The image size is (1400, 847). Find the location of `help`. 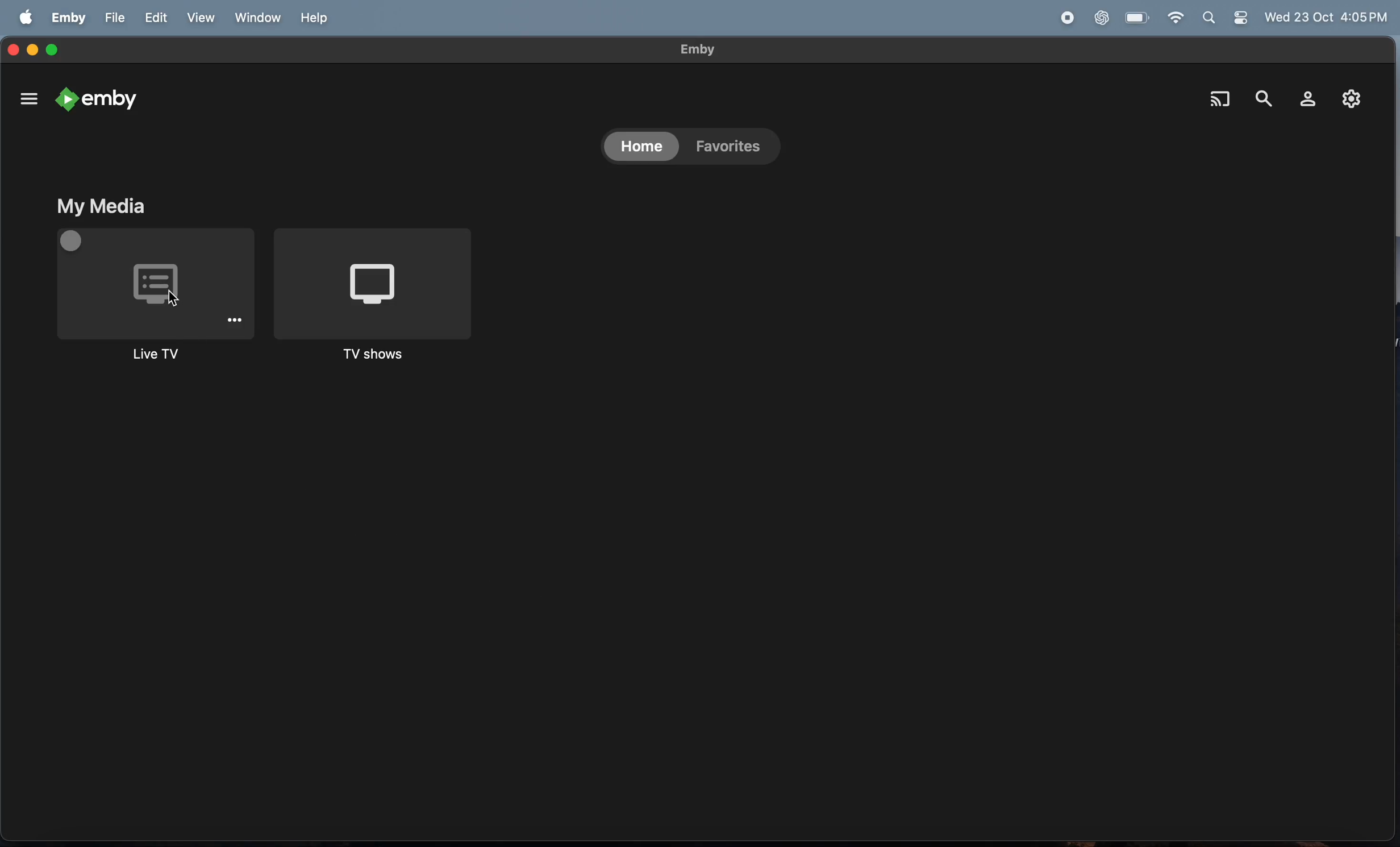

help is located at coordinates (312, 18).